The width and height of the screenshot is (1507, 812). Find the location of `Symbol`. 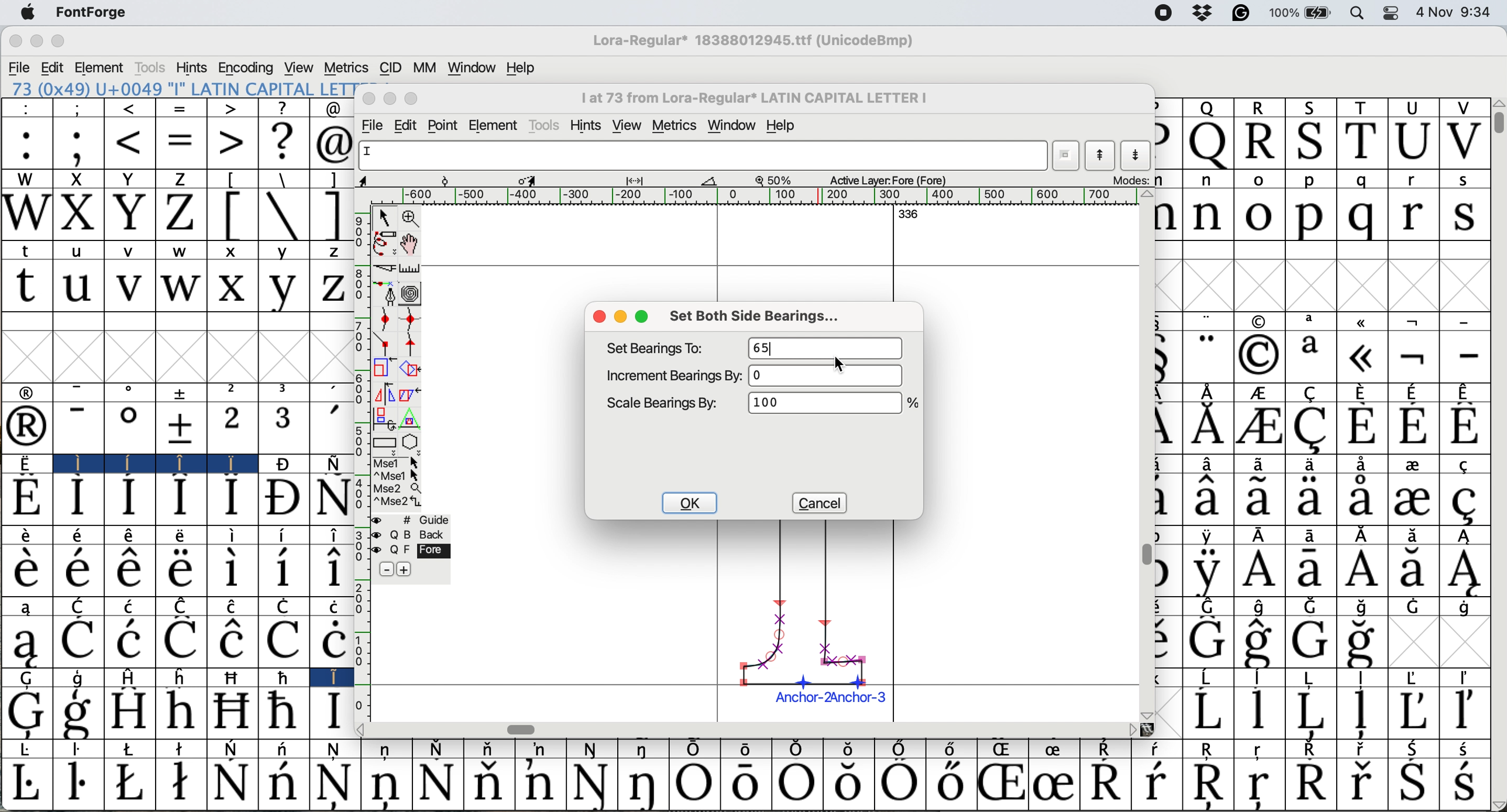

Symbol is located at coordinates (129, 711).